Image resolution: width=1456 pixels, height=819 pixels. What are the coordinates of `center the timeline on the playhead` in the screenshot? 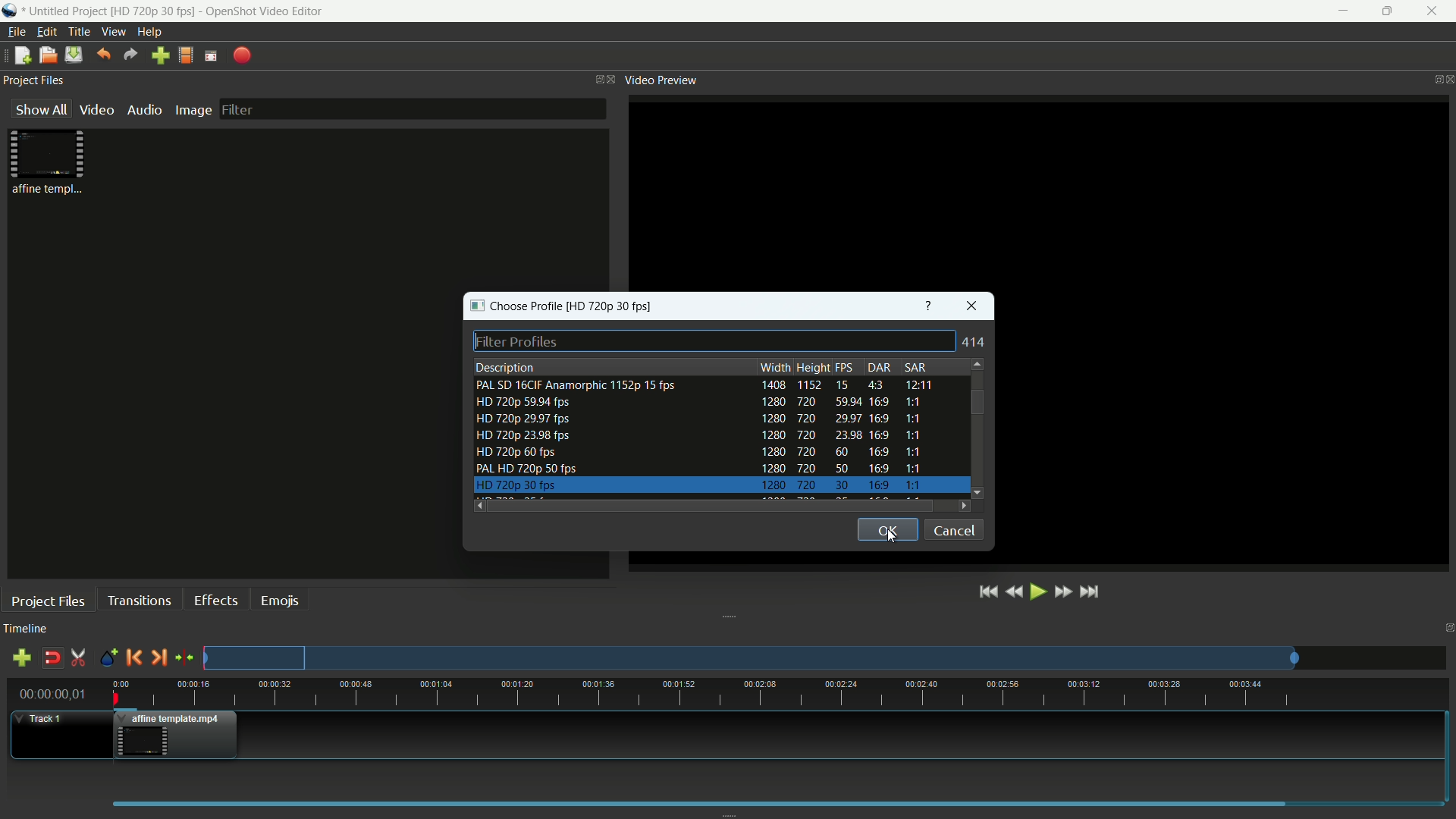 It's located at (184, 657).